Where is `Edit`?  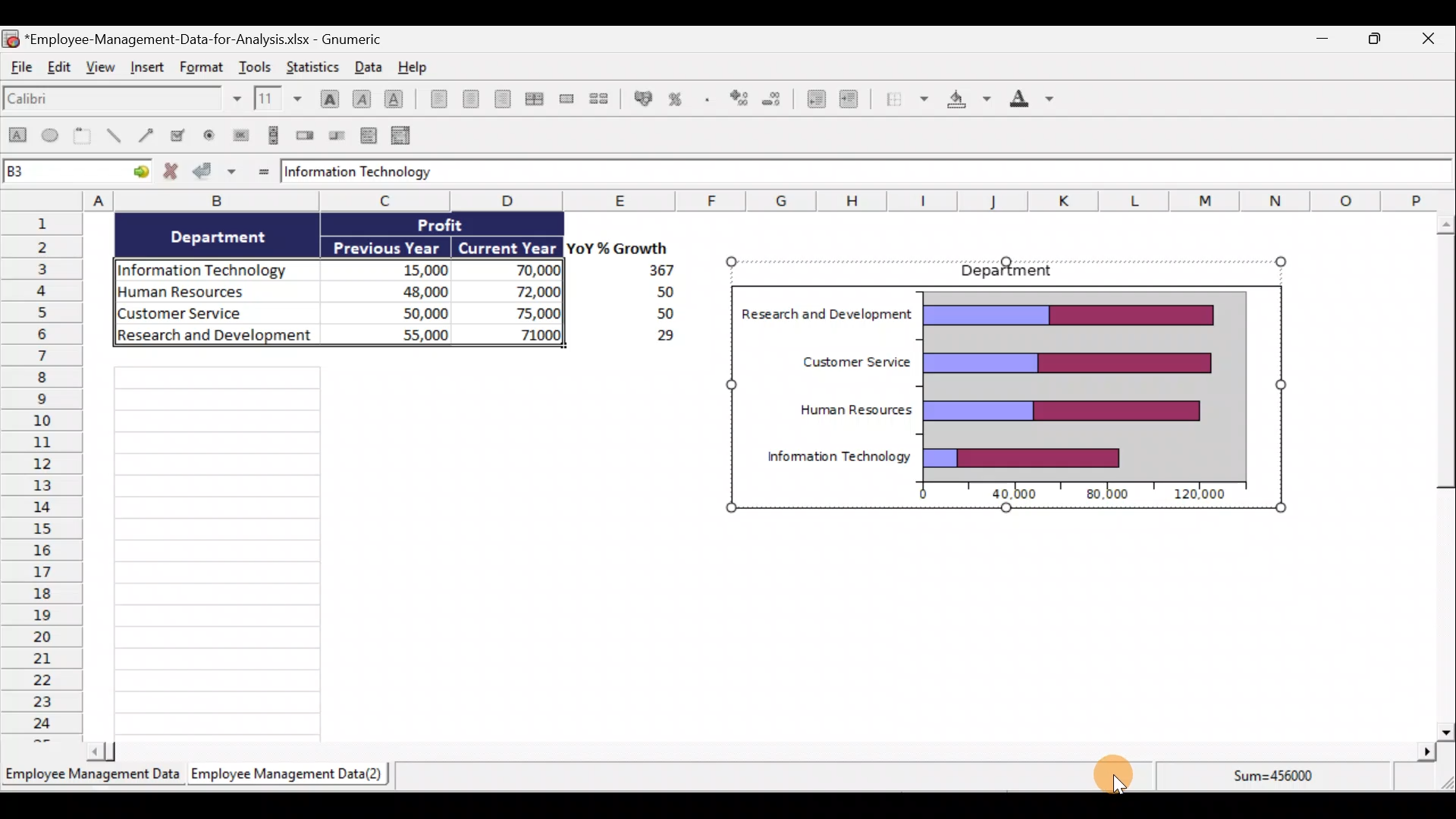
Edit is located at coordinates (60, 67).